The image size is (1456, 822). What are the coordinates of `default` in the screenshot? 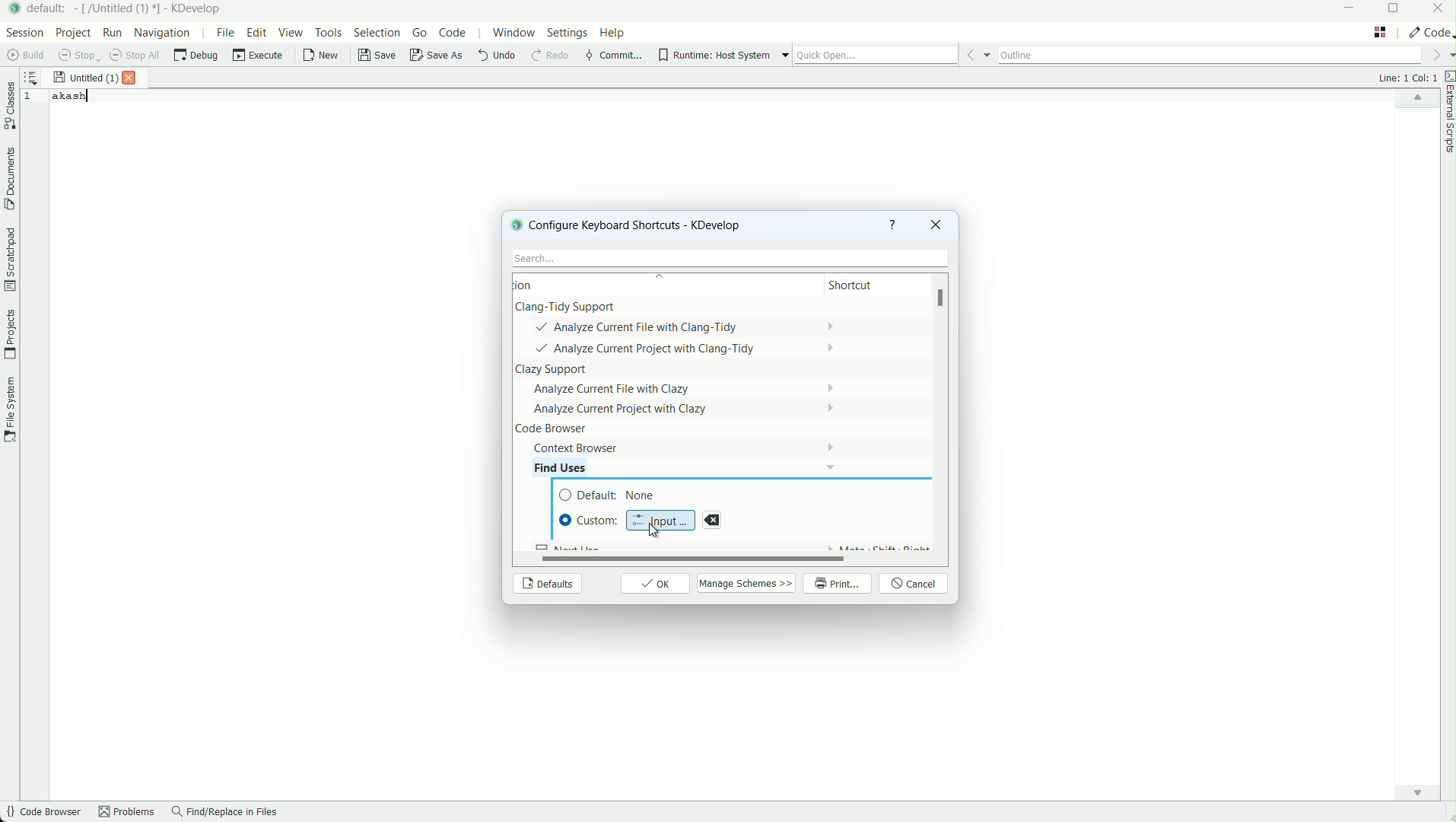 It's located at (49, 8).